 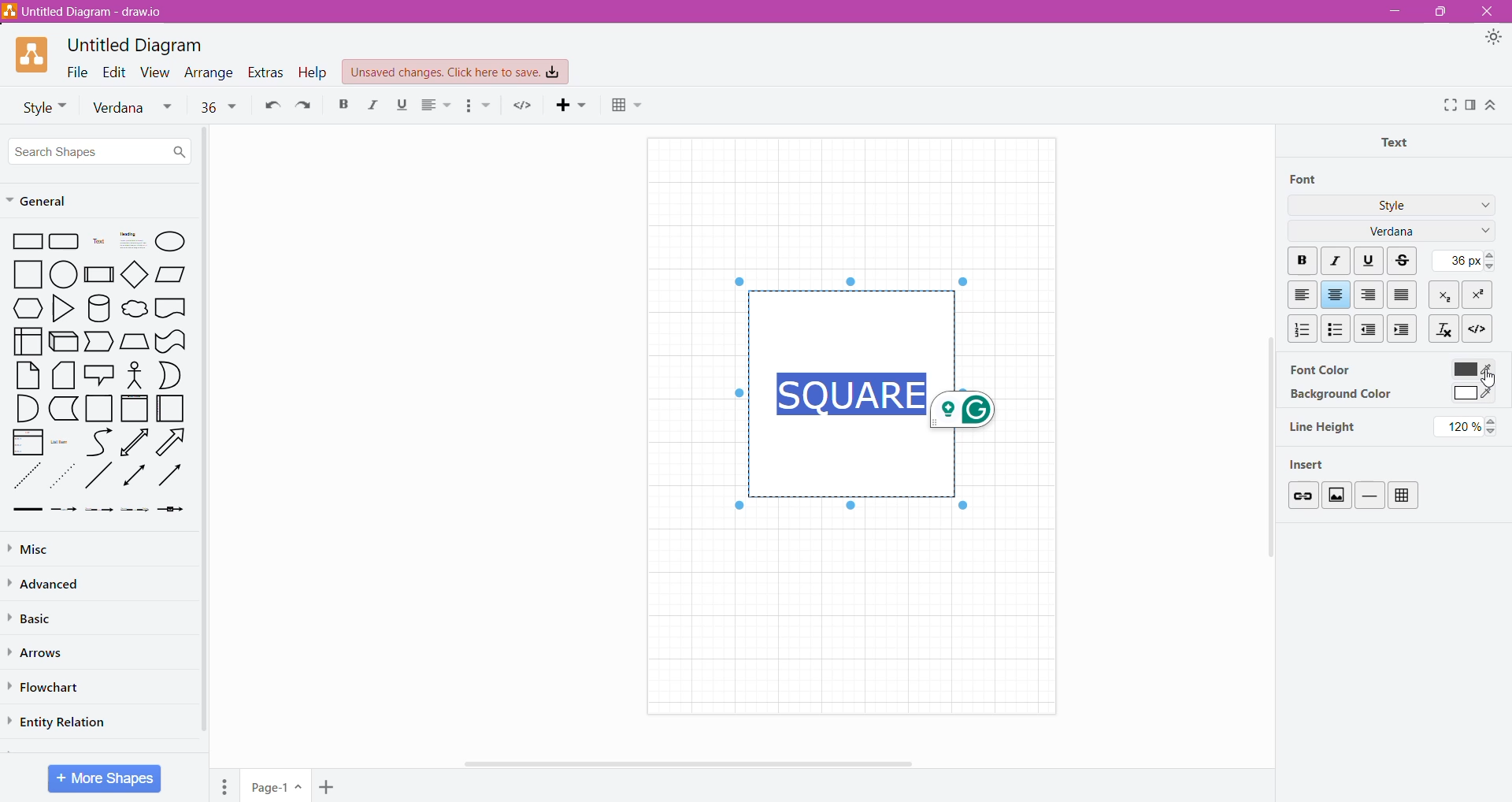 What do you see at coordinates (63, 441) in the screenshot?
I see `List Item` at bounding box center [63, 441].